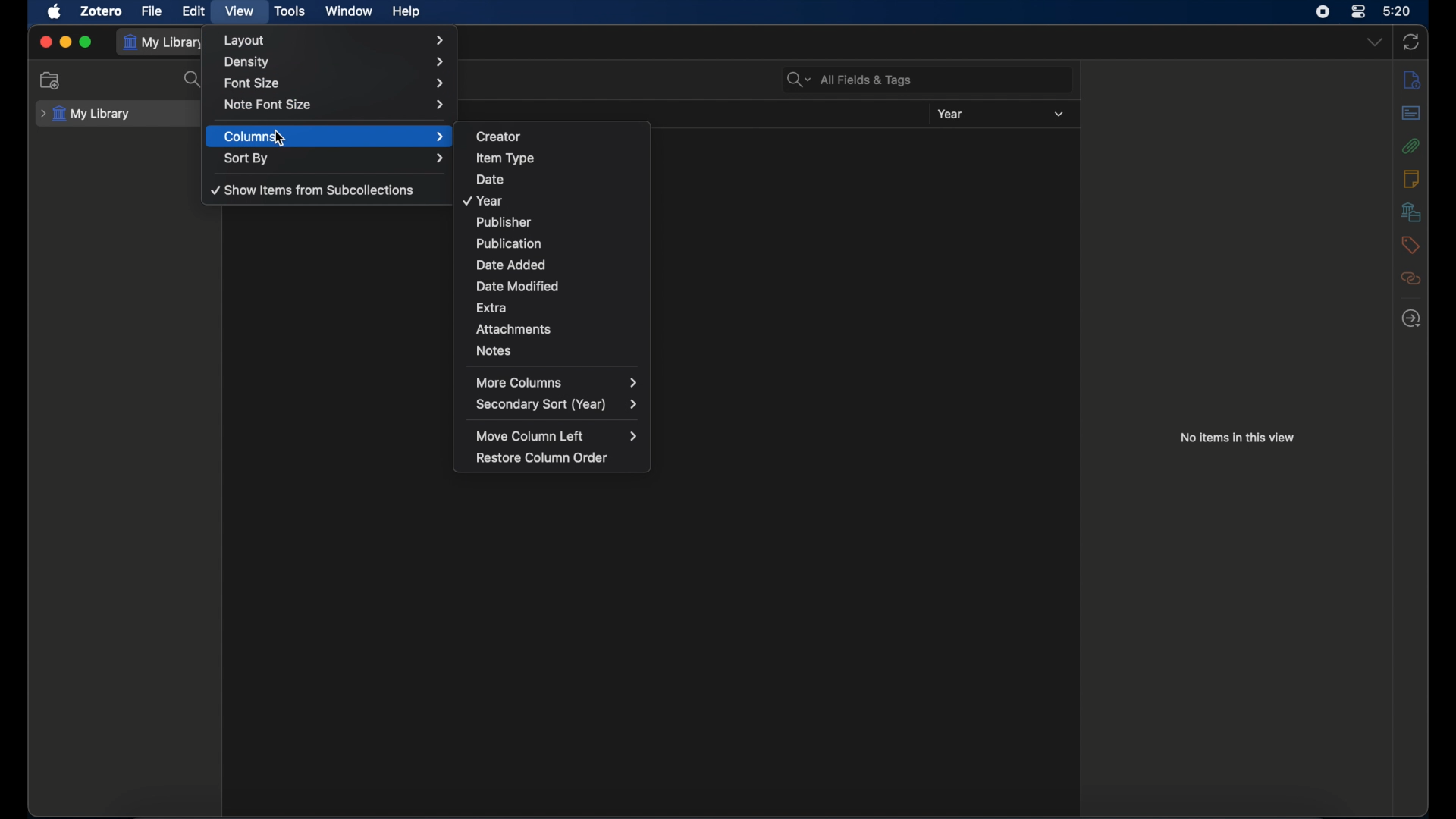 Image resolution: width=1456 pixels, height=819 pixels. Describe the element at coordinates (1412, 80) in the screenshot. I see `info` at that location.